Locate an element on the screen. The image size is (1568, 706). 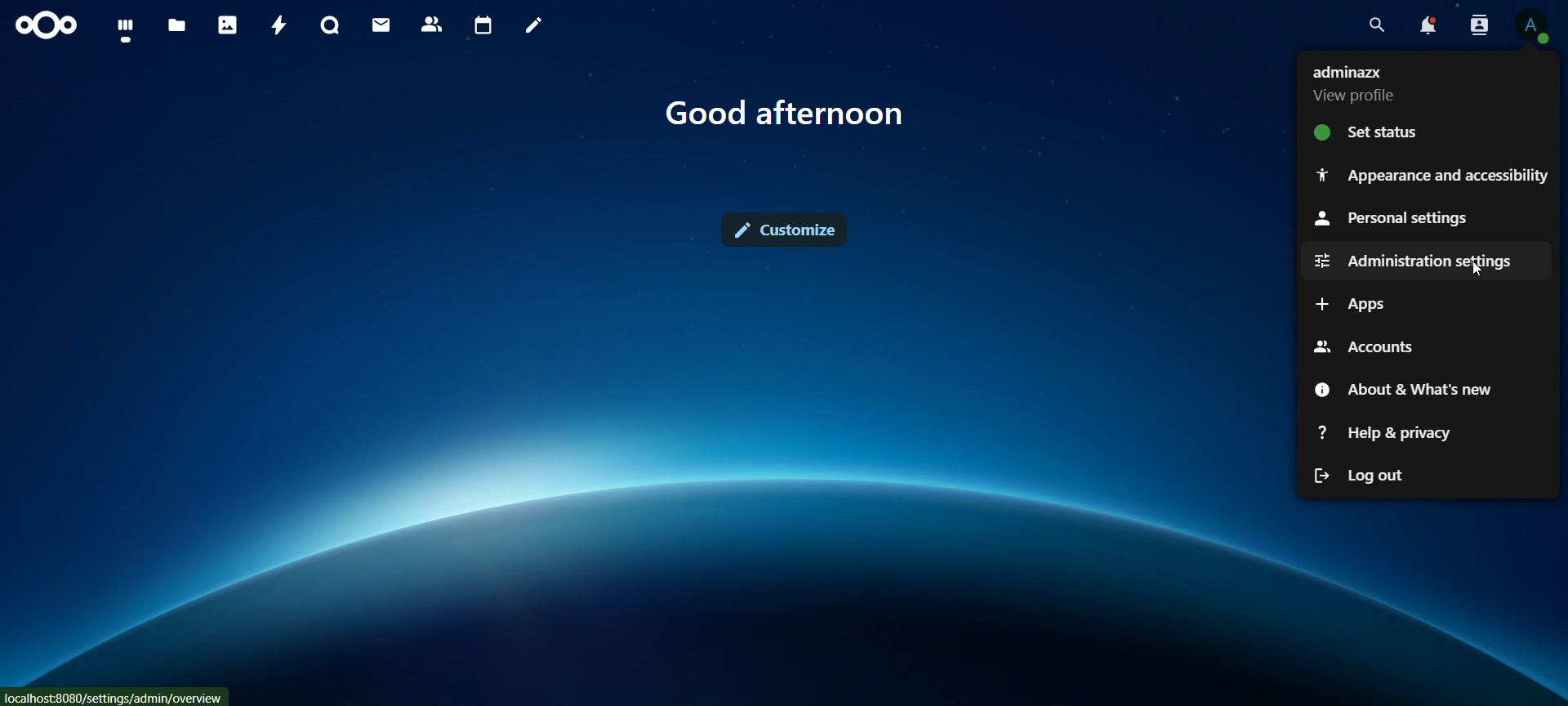
notifications is located at coordinates (1430, 27).